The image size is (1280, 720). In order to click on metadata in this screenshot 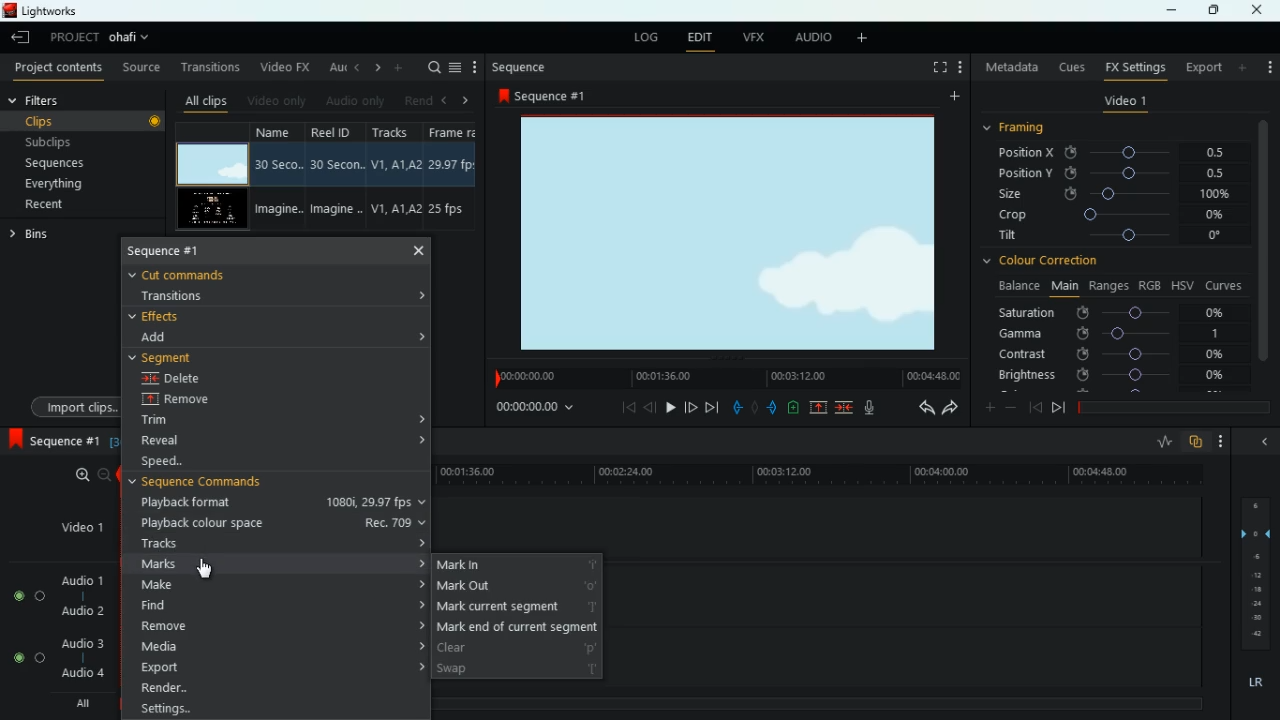, I will do `click(1008, 65)`.